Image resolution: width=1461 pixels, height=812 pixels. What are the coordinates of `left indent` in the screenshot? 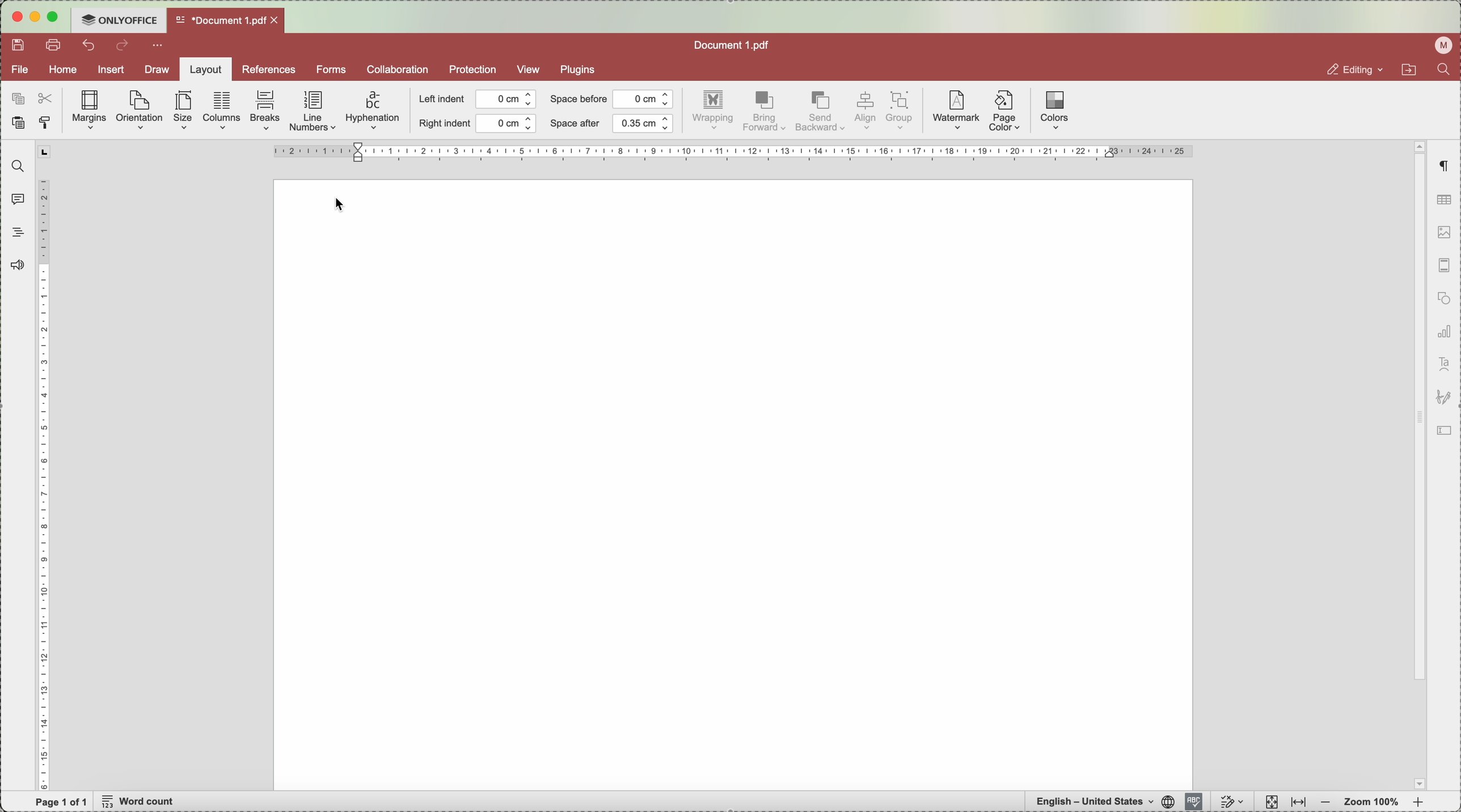 It's located at (478, 100).